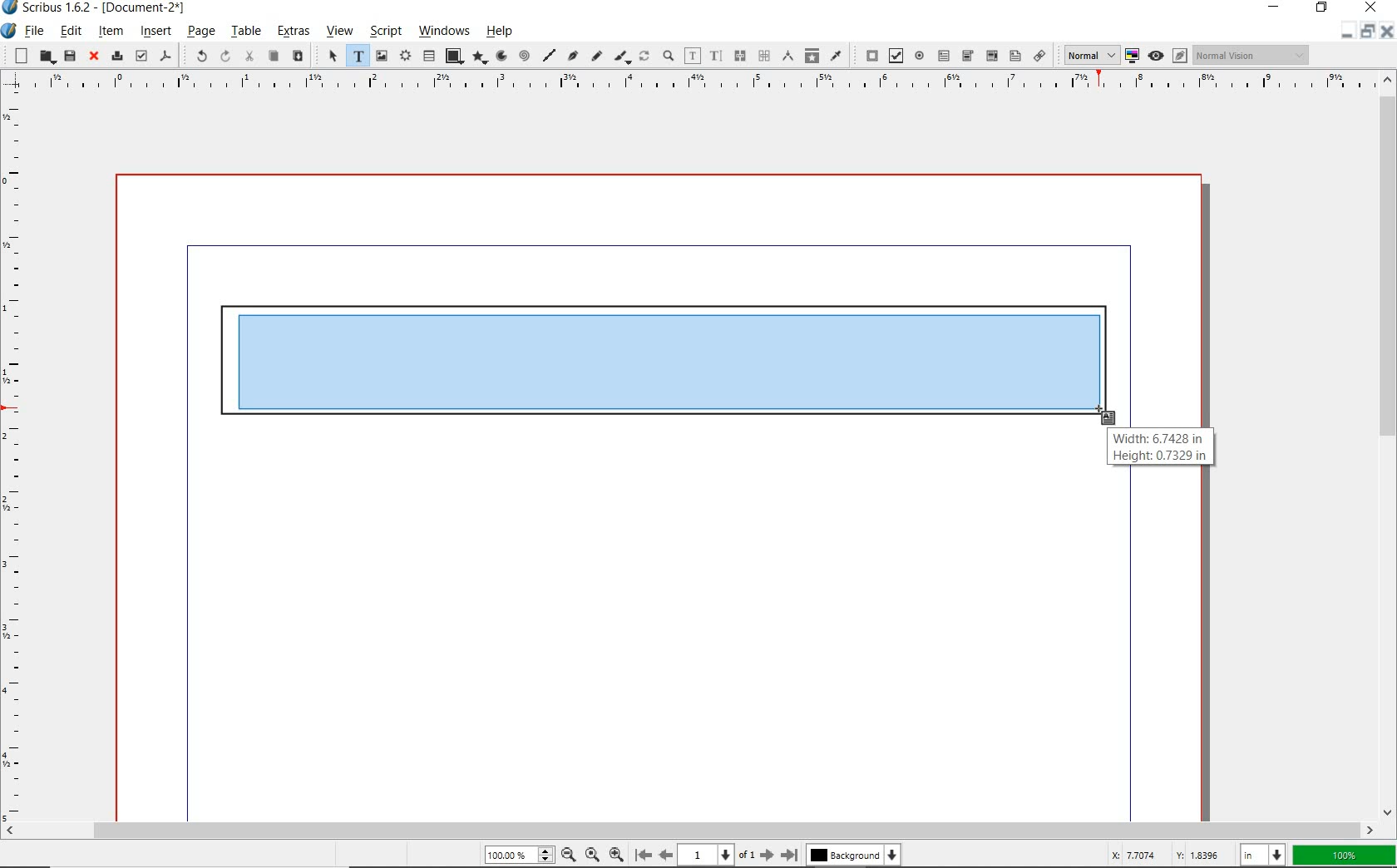 The image size is (1397, 868). What do you see at coordinates (445, 32) in the screenshot?
I see `windows` at bounding box center [445, 32].